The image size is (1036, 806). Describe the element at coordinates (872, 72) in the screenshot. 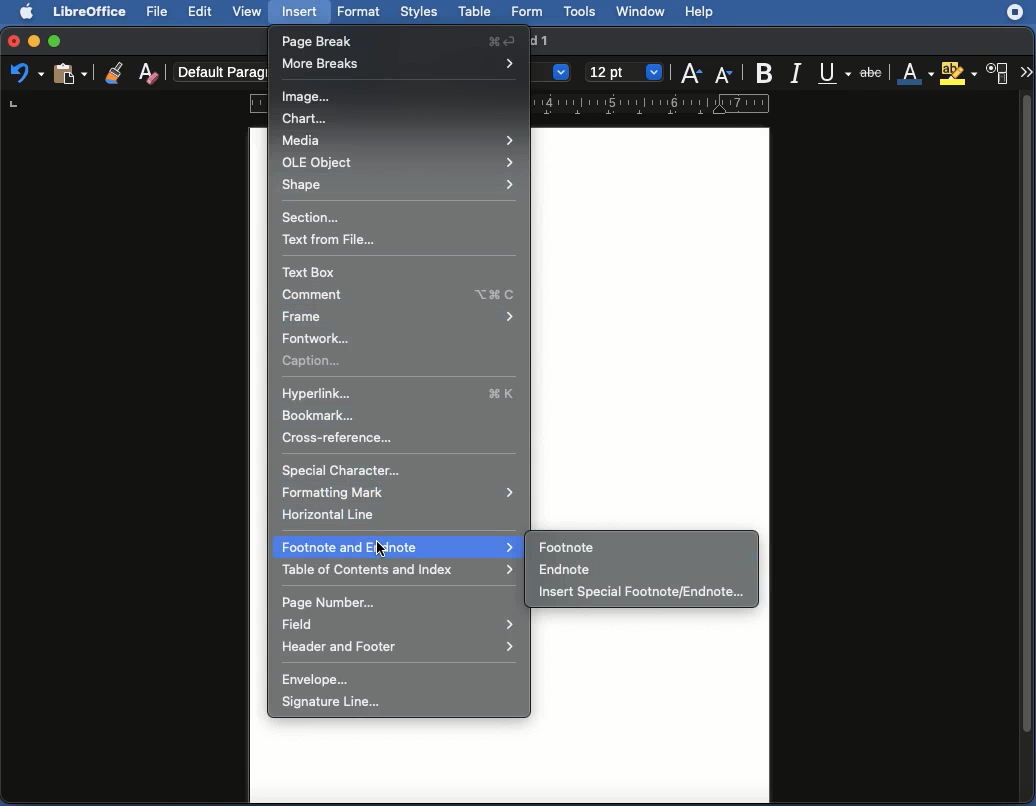

I see `Strikethrough` at that location.